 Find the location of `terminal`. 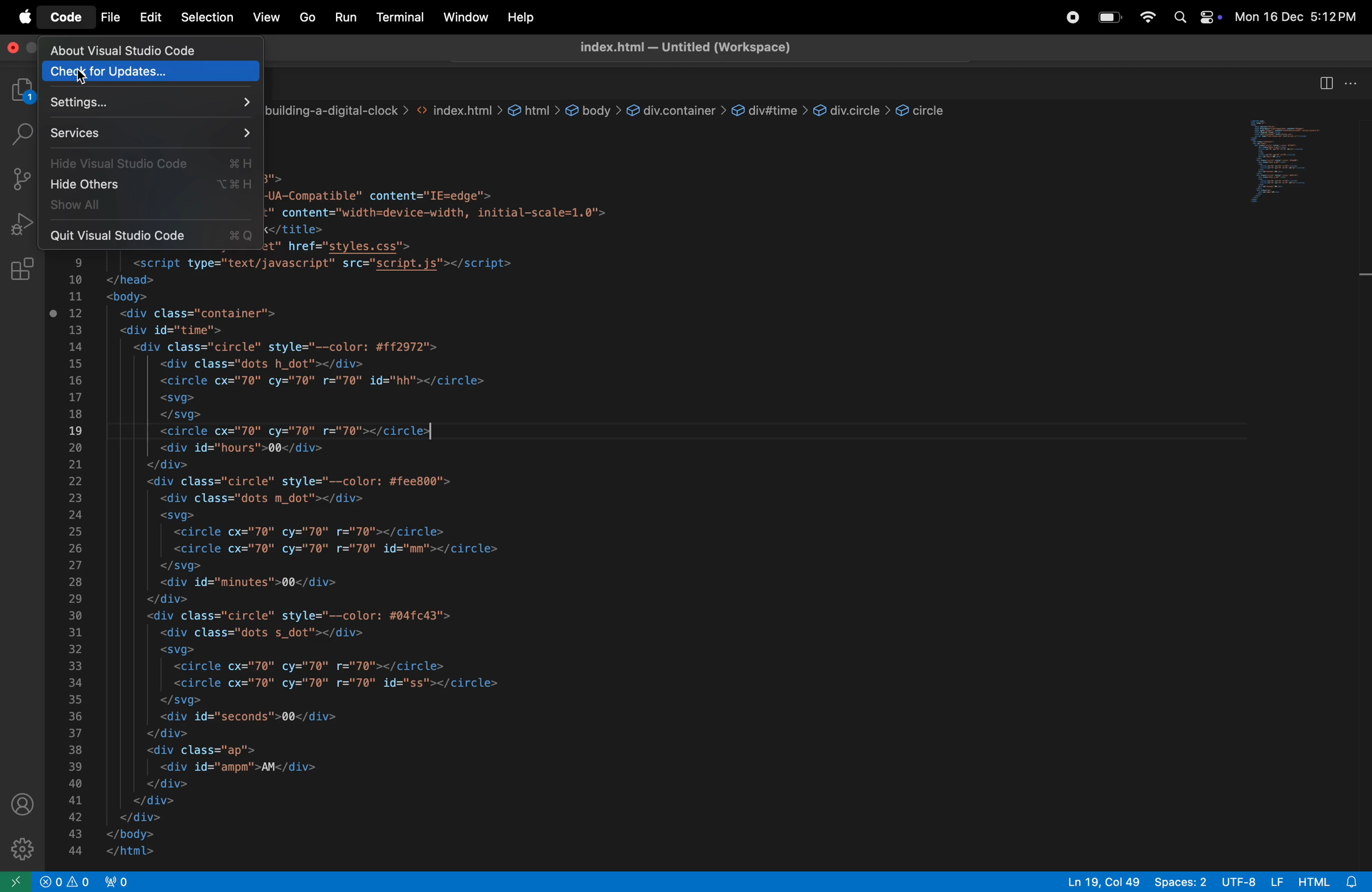

terminal is located at coordinates (401, 17).